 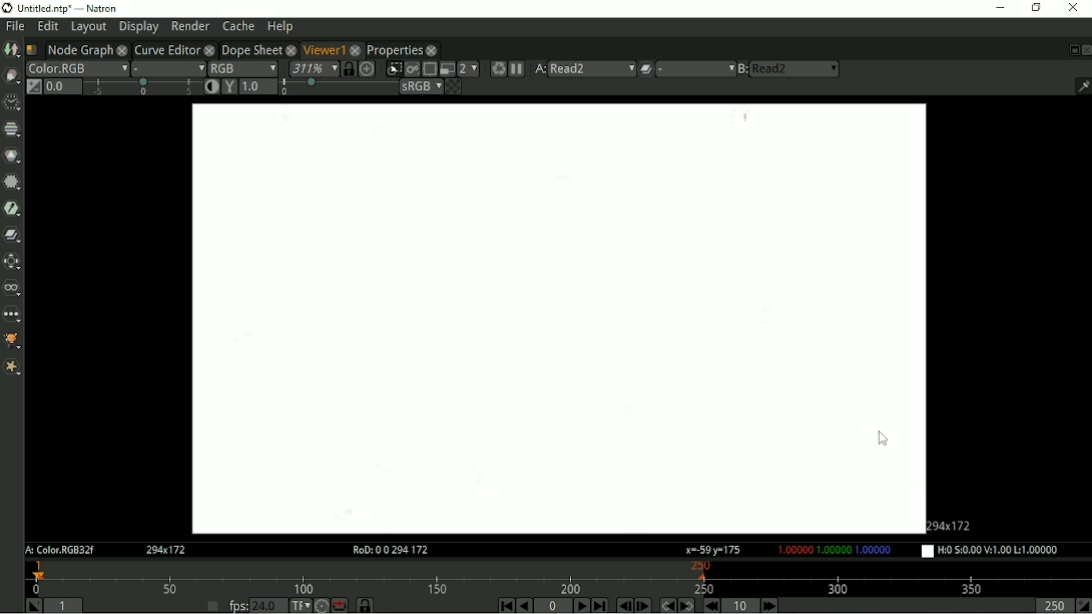 What do you see at coordinates (58, 551) in the screenshot?
I see `A:Color.RGB32f` at bounding box center [58, 551].